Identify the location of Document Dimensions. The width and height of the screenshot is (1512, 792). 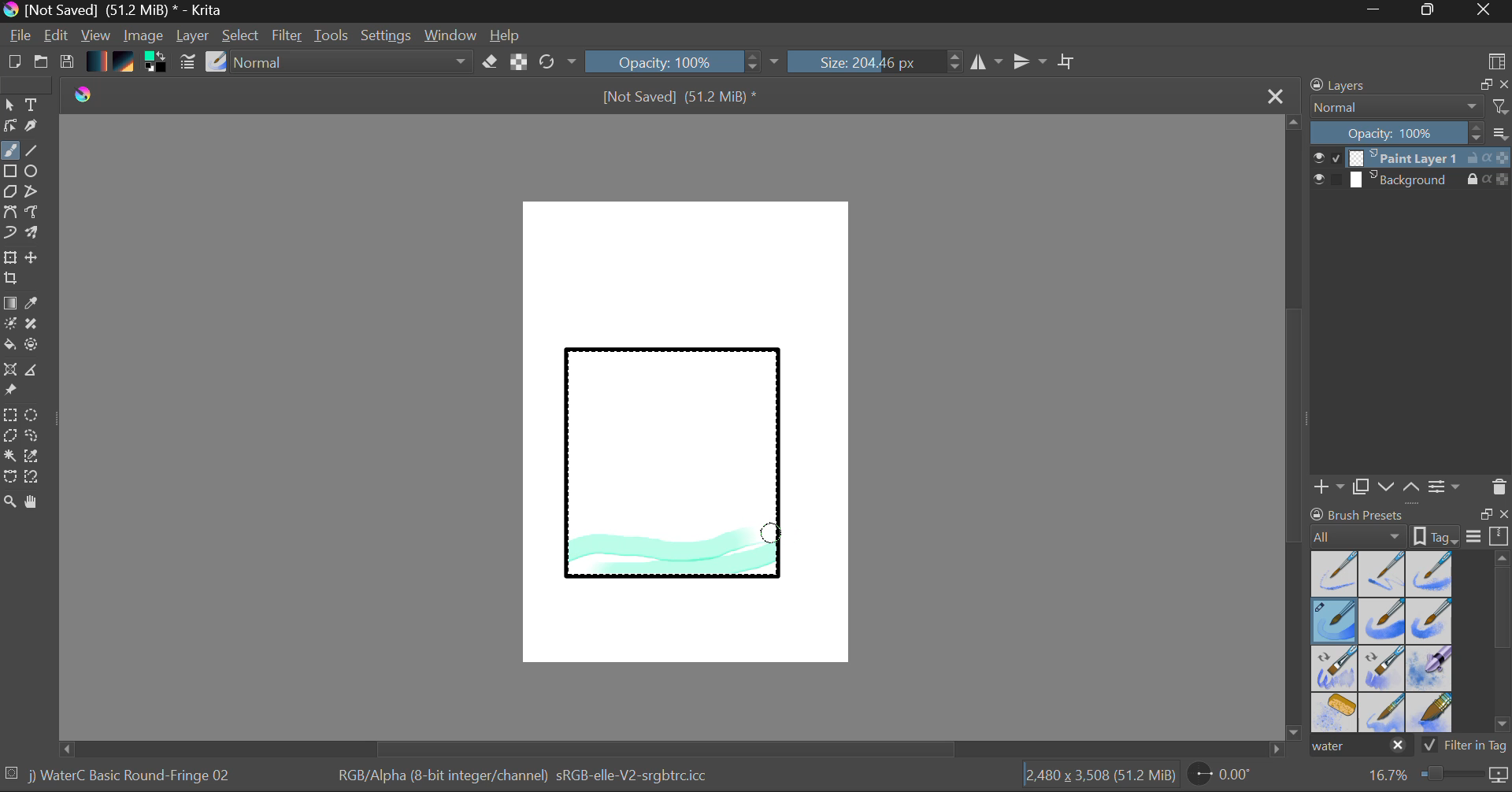
(1099, 778).